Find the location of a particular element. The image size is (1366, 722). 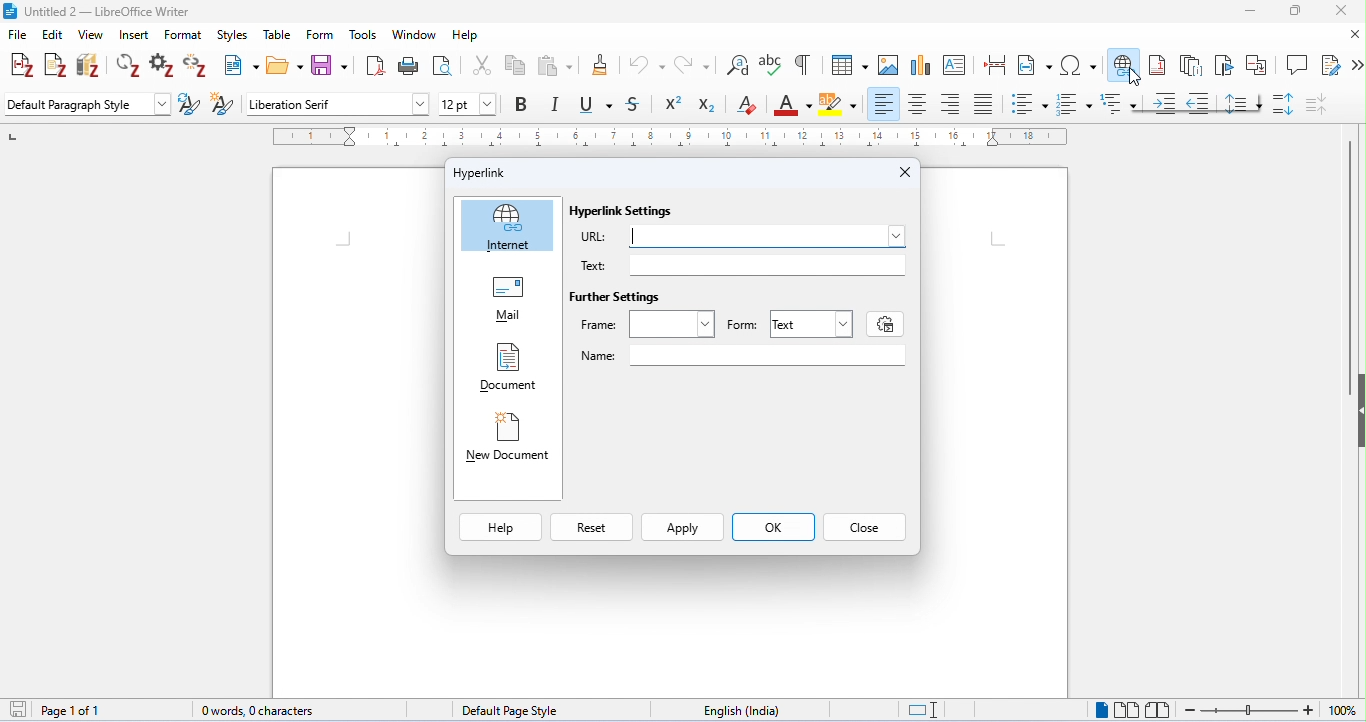

font color is located at coordinates (793, 106).